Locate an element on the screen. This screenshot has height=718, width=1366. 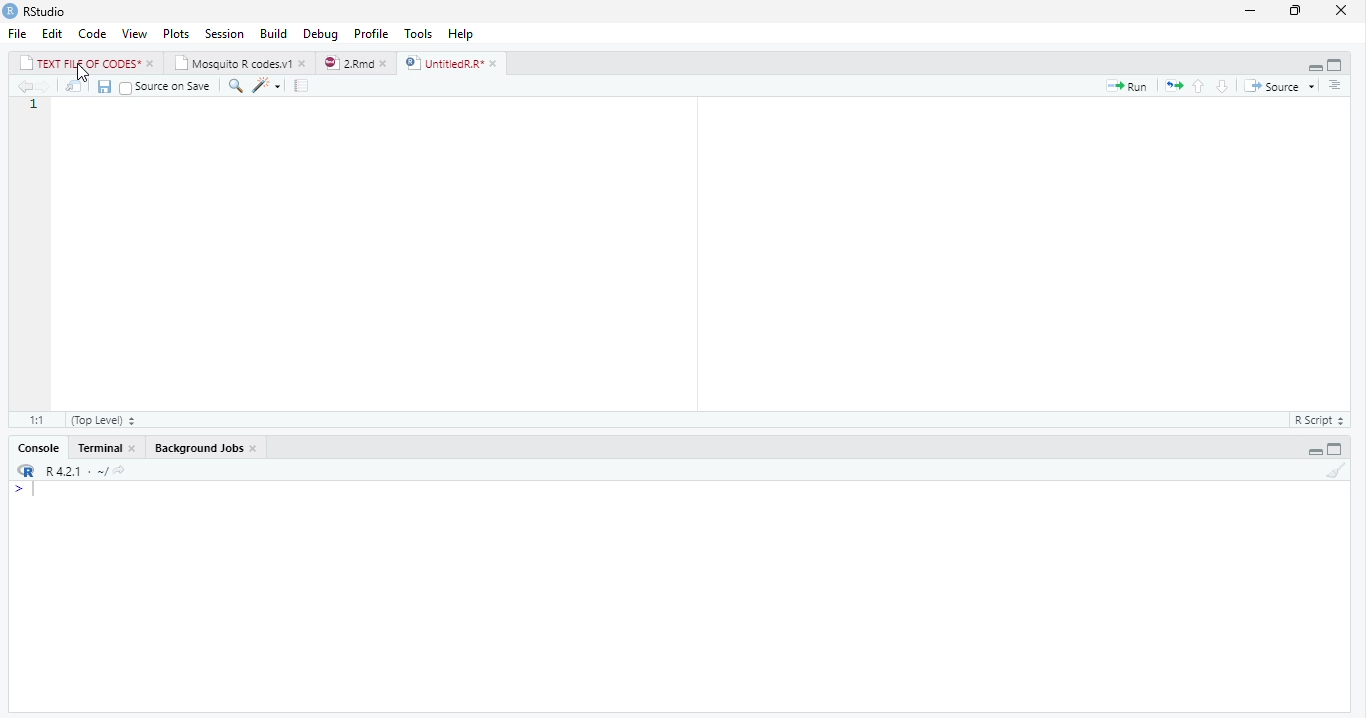
run current file is located at coordinates (1131, 87).